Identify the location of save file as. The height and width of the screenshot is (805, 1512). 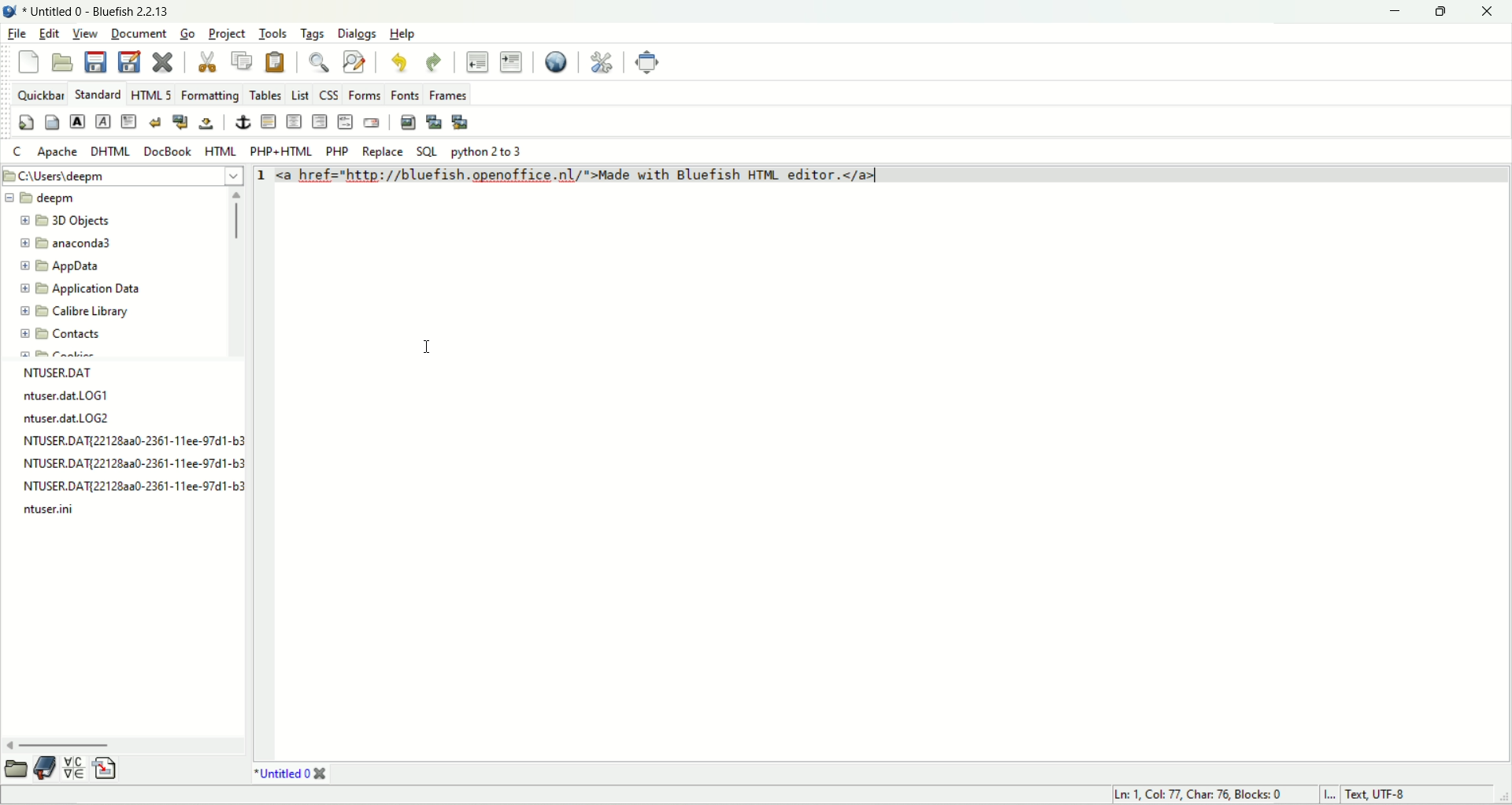
(129, 61).